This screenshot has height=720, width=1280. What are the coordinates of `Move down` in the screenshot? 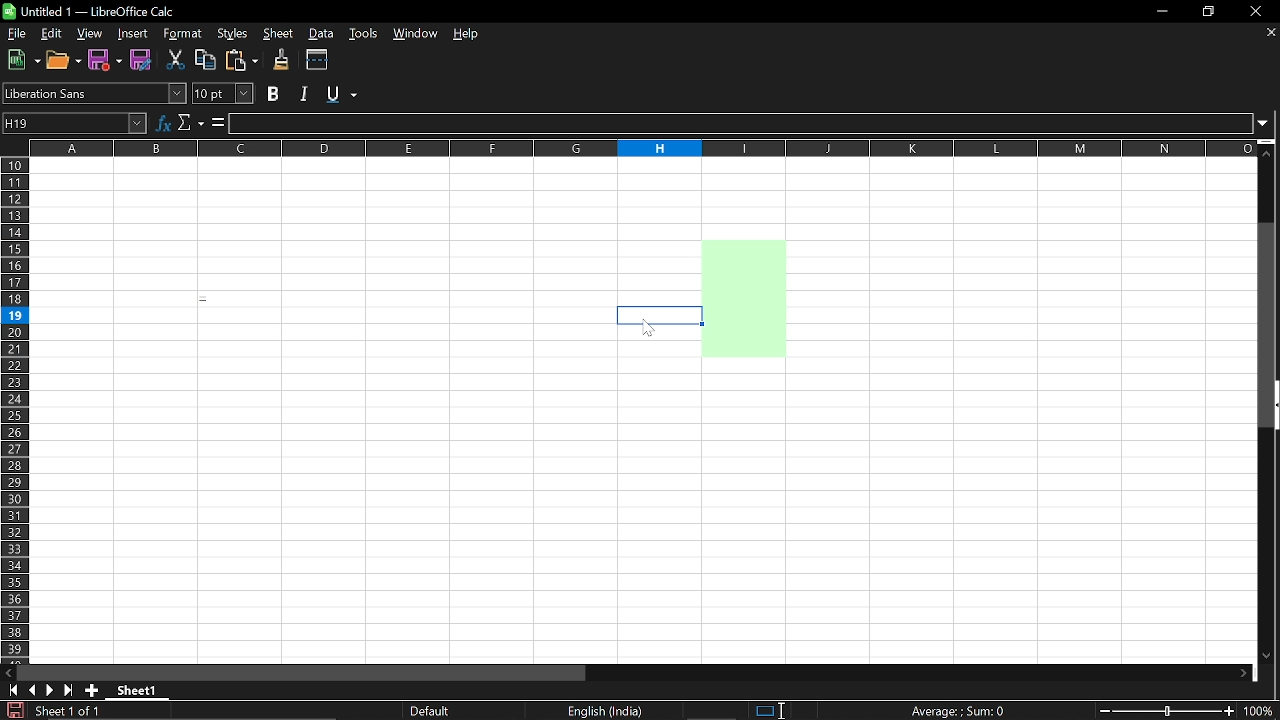 It's located at (1272, 656).